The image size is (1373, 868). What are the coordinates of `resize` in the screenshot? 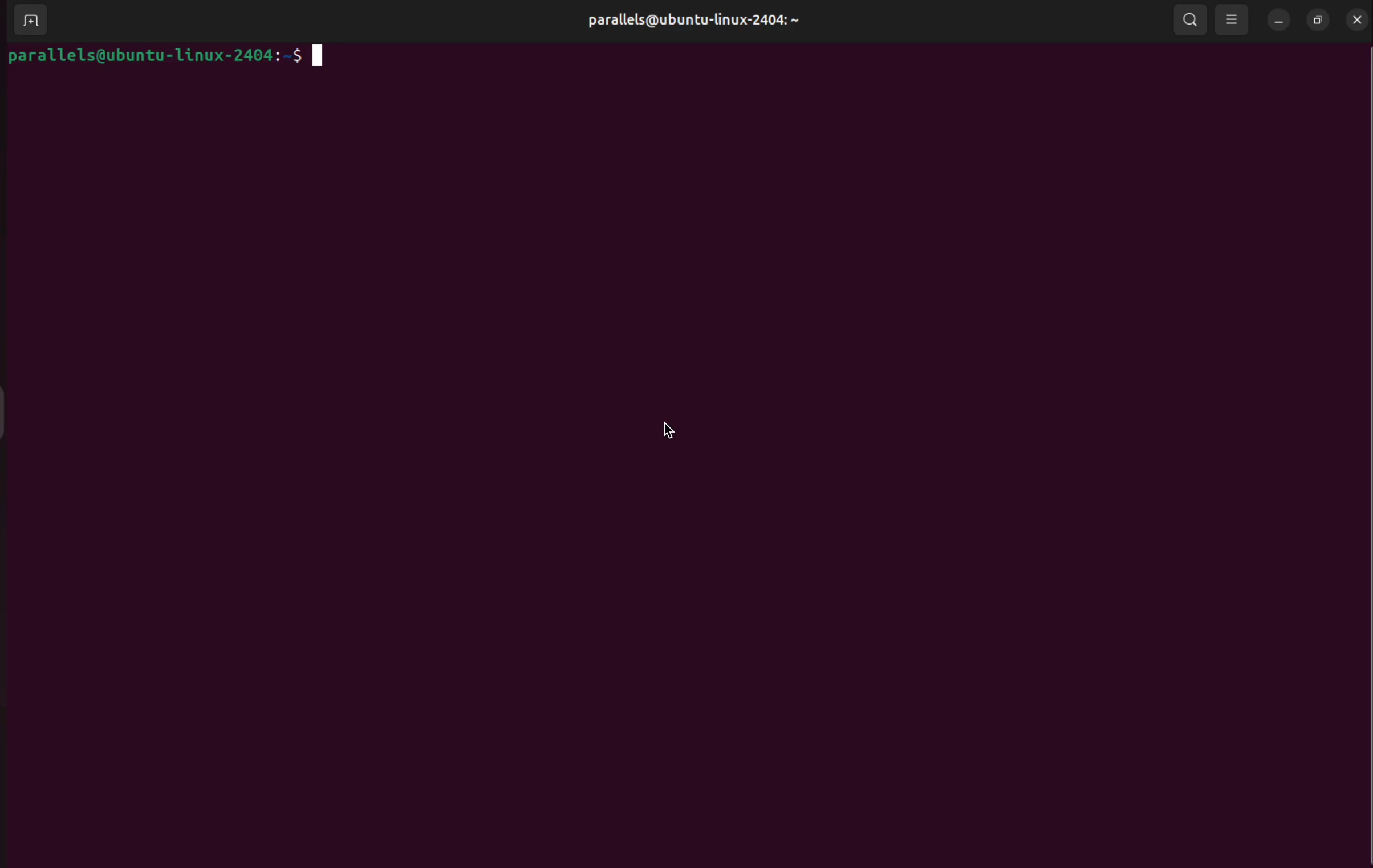 It's located at (1318, 19).